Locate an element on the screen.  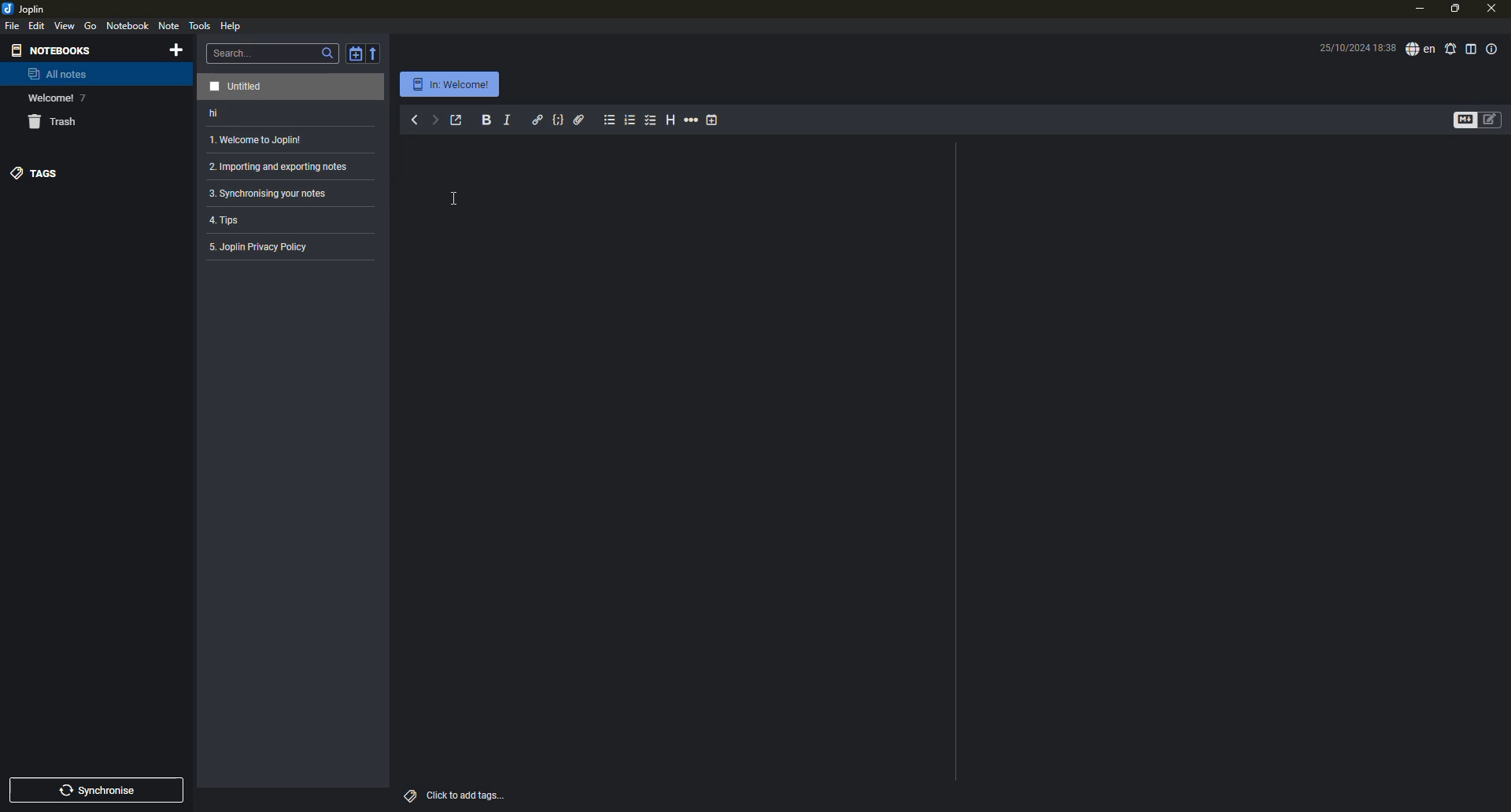
bold is located at coordinates (486, 120).